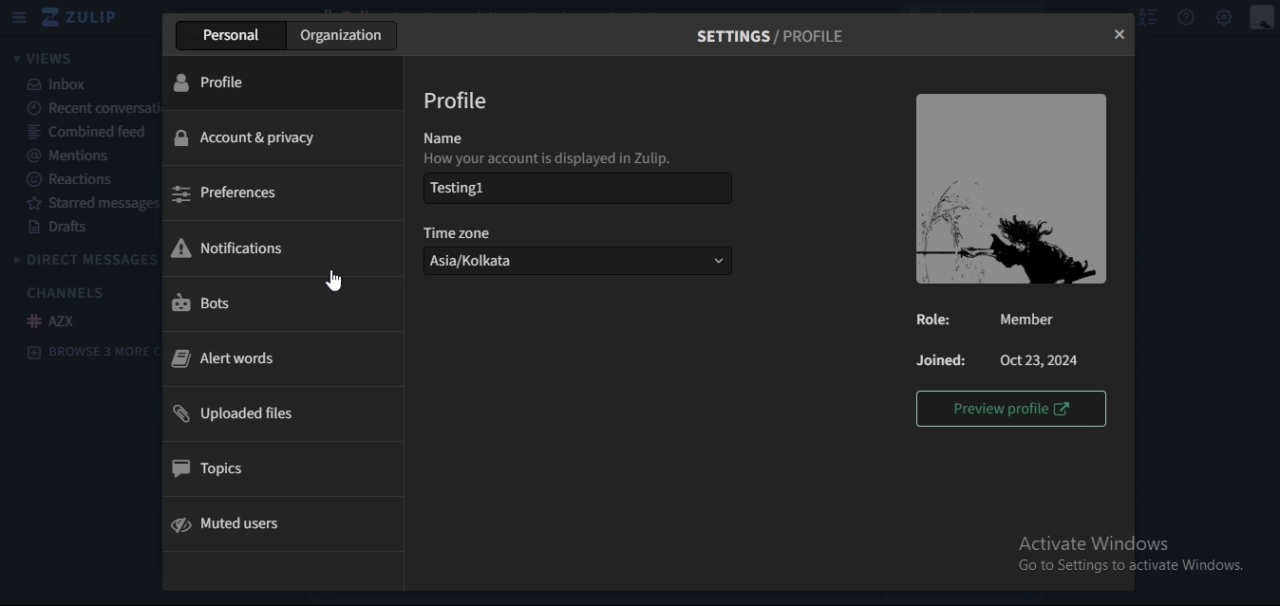 Image resolution: width=1280 pixels, height=606 pixels. What do you see at coordinates (225, 194) in the screenshot?
I see `preferences` at bounding box center [225, 194].